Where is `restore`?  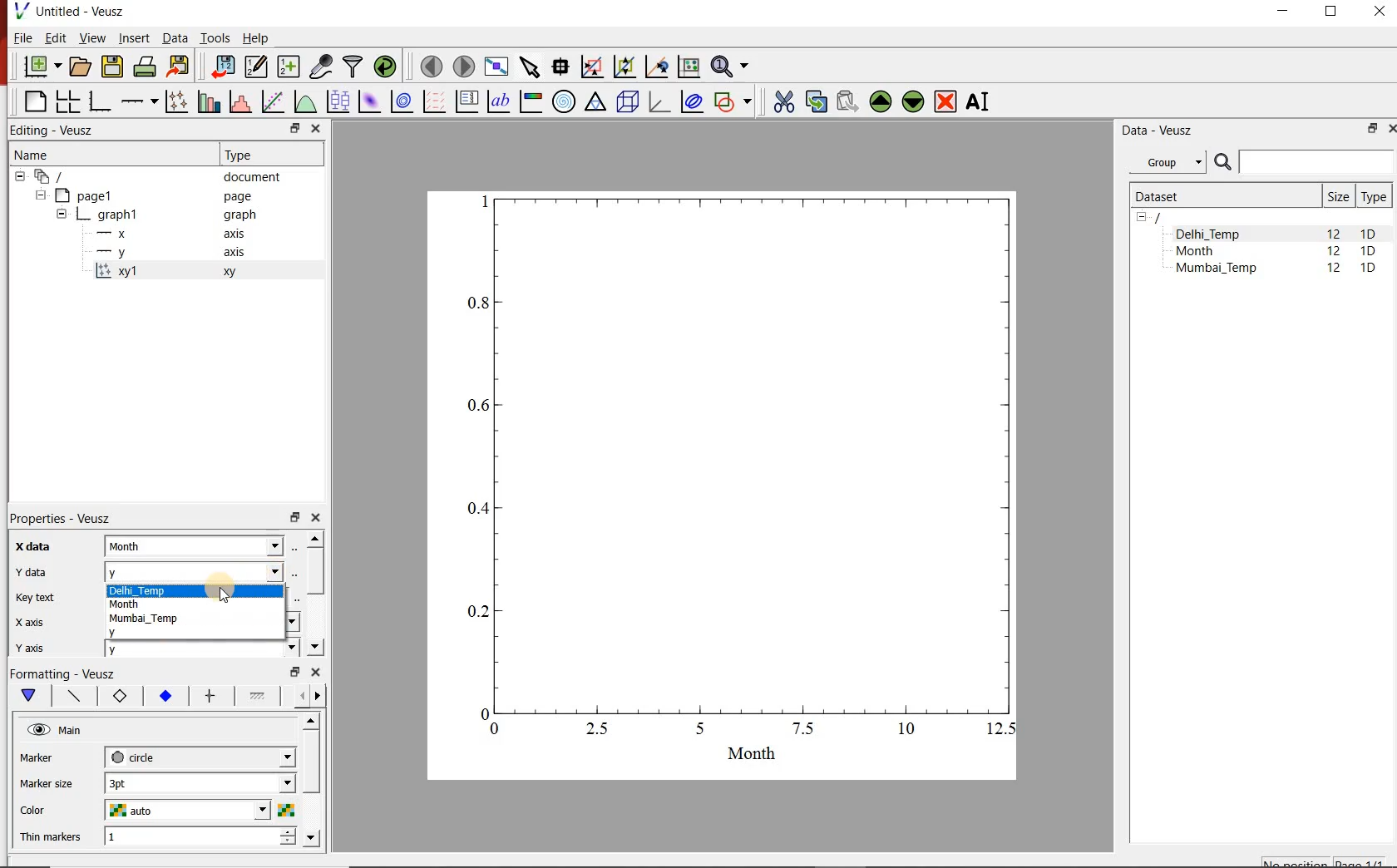 restore is located at coordinates (297, 671).